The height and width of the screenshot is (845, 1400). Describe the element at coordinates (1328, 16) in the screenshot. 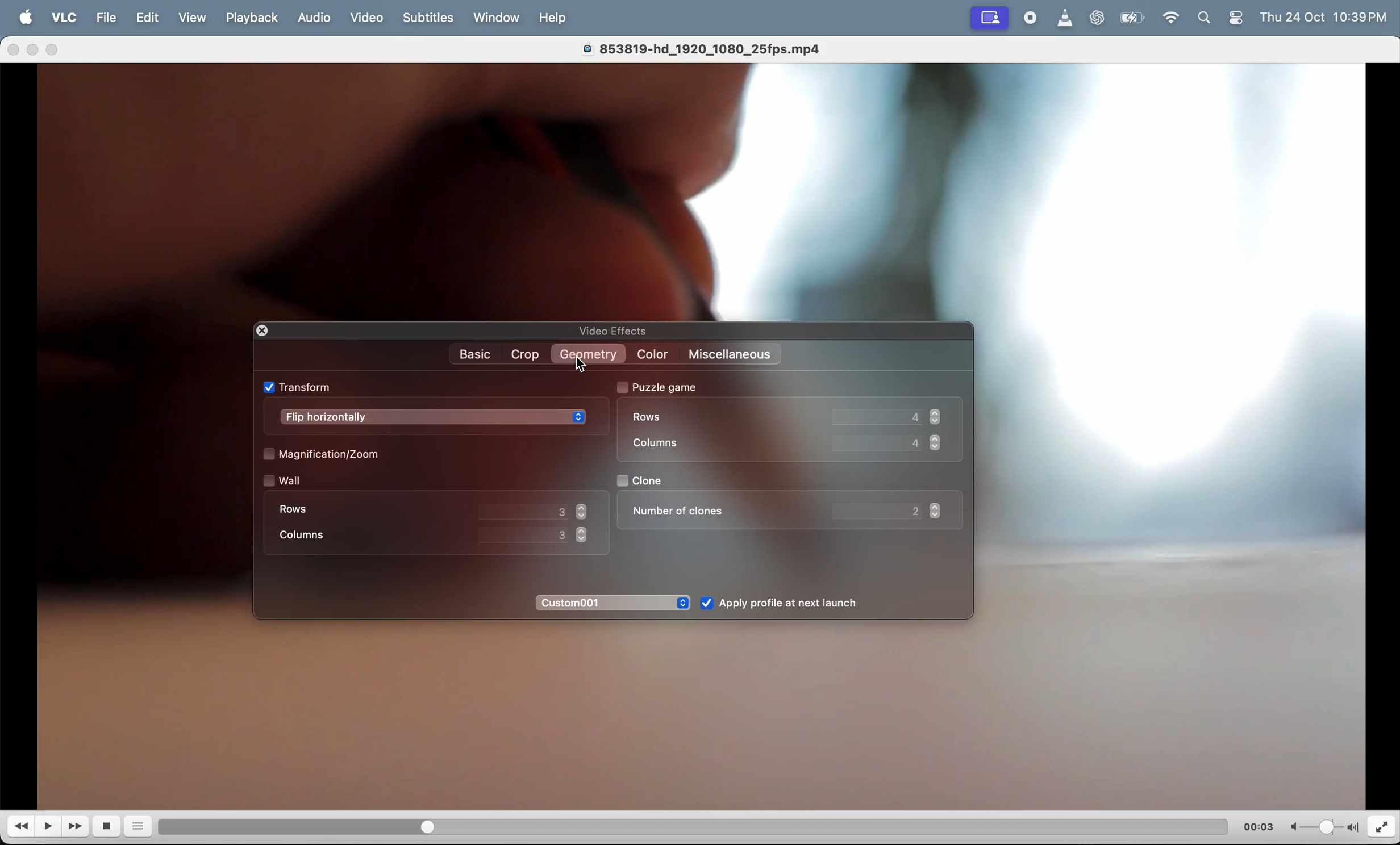

I see `time and date` at that location.